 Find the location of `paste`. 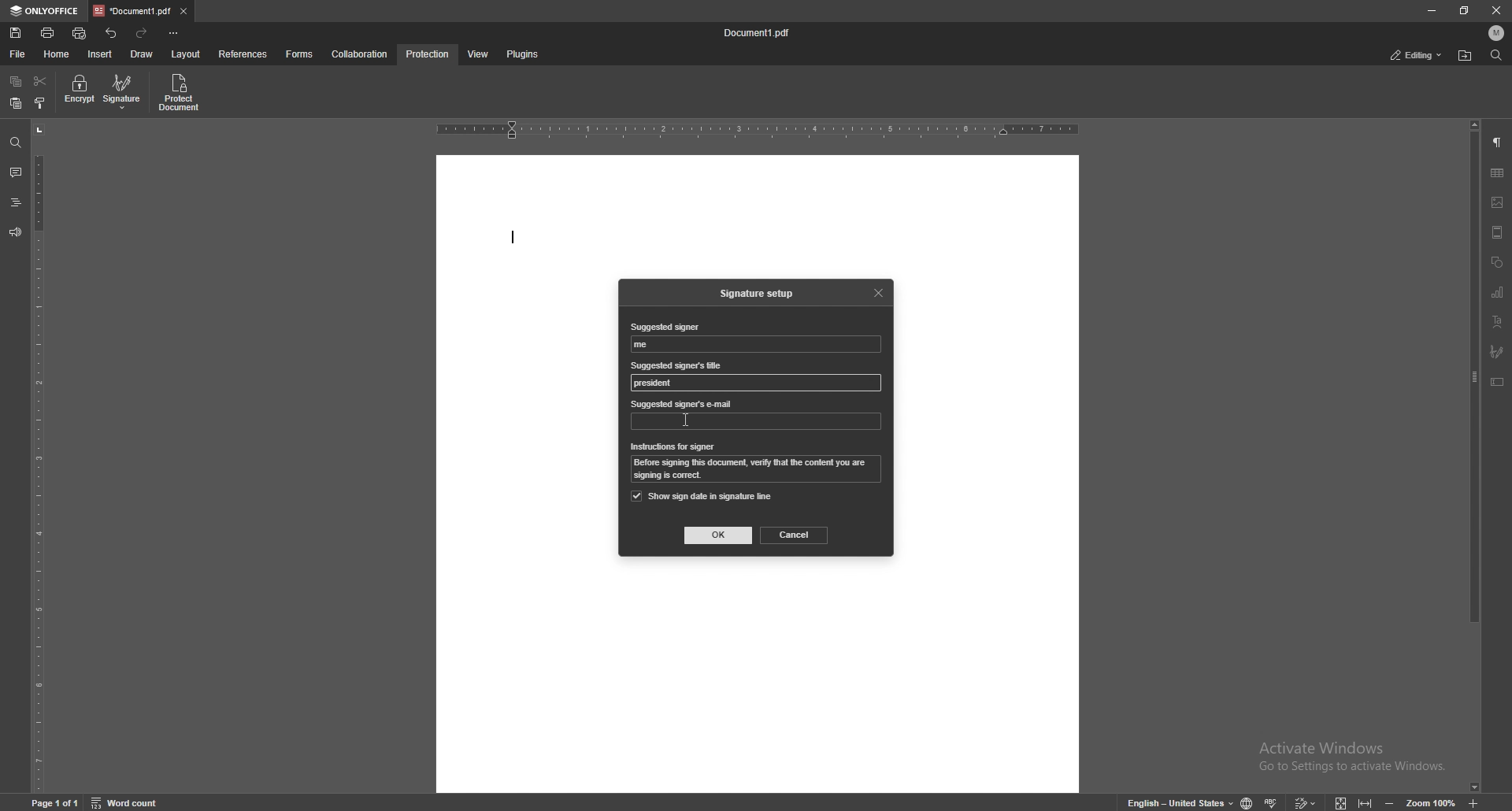

paste is located at coordinates (15, 104).